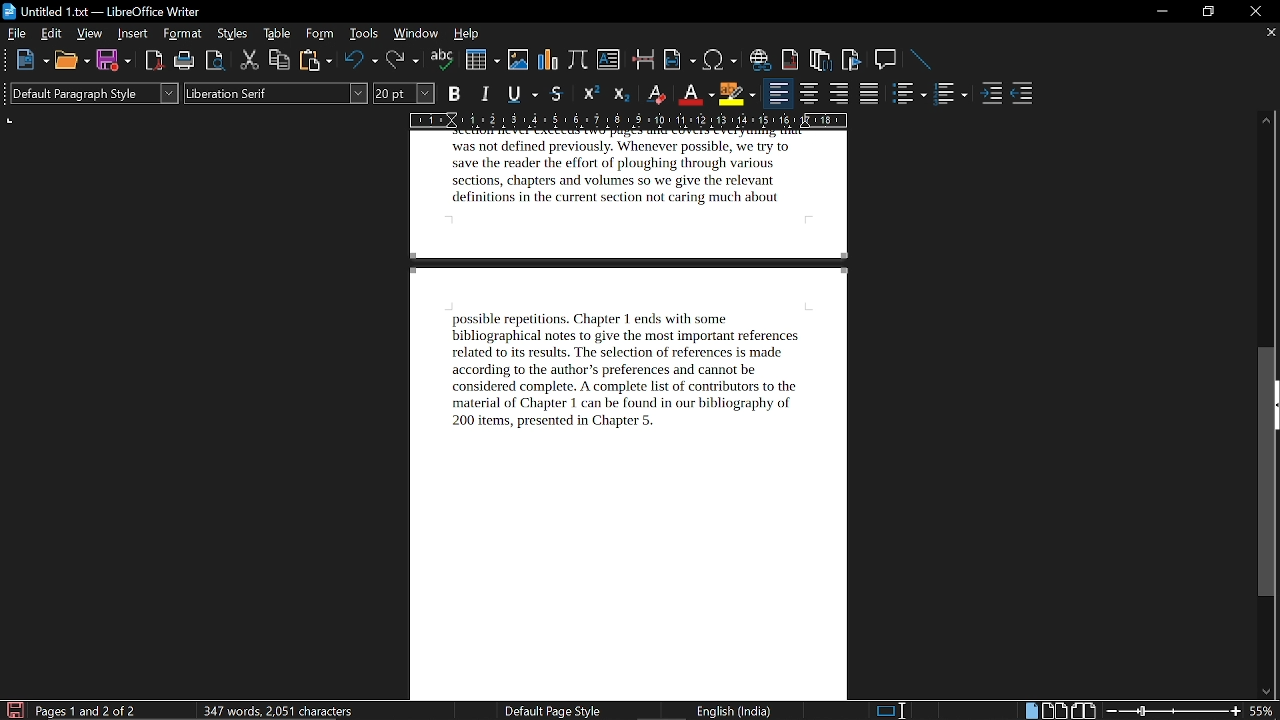  Describe the element at coordinates (216, 61) in the screenshot. I see `toggle print preview` at that location.